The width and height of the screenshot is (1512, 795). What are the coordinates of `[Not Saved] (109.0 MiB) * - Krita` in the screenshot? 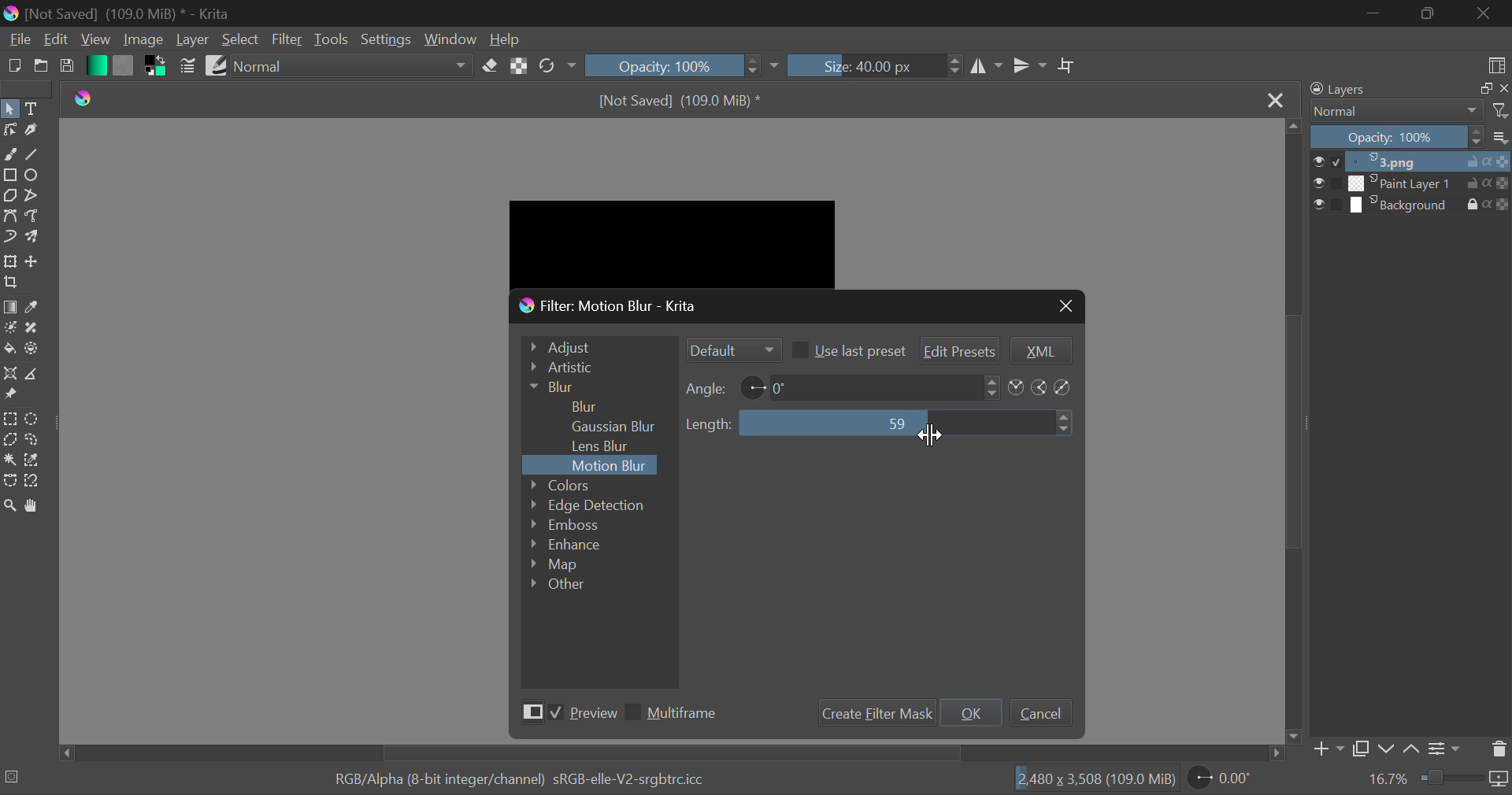 It's located at (134, 13).